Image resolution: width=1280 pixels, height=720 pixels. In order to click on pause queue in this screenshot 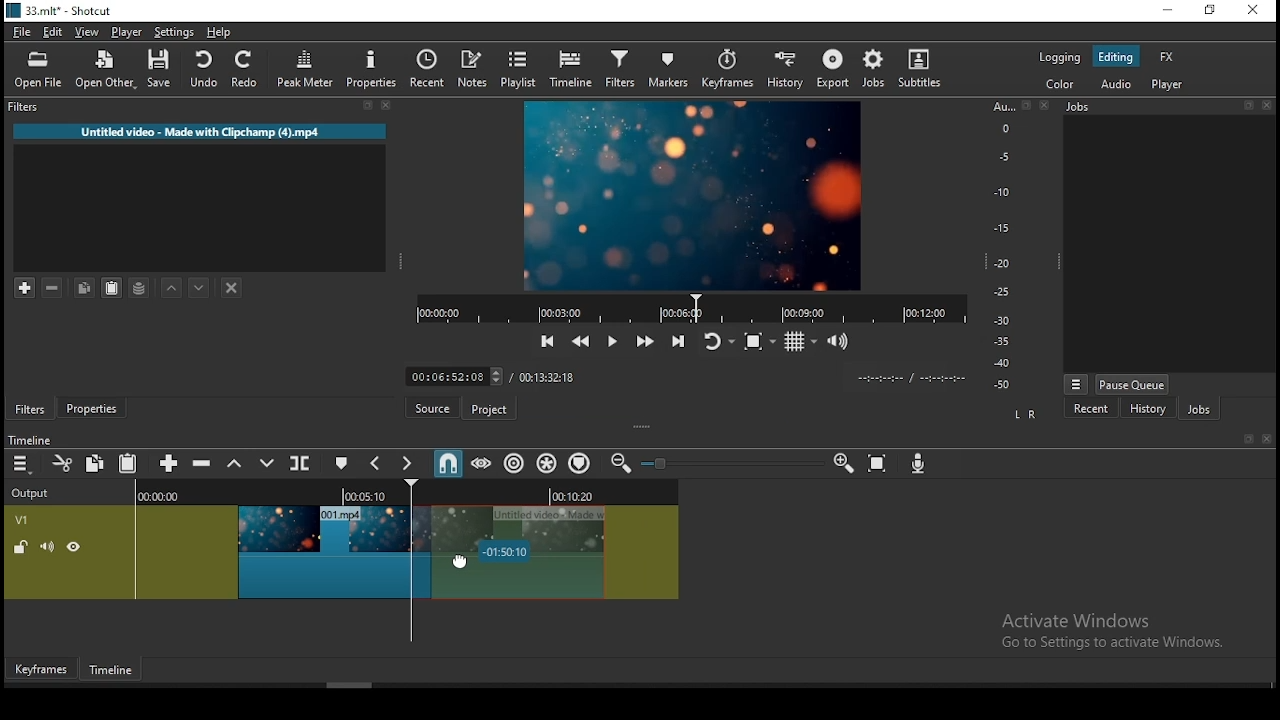, I will do `click(1132, 383)`.